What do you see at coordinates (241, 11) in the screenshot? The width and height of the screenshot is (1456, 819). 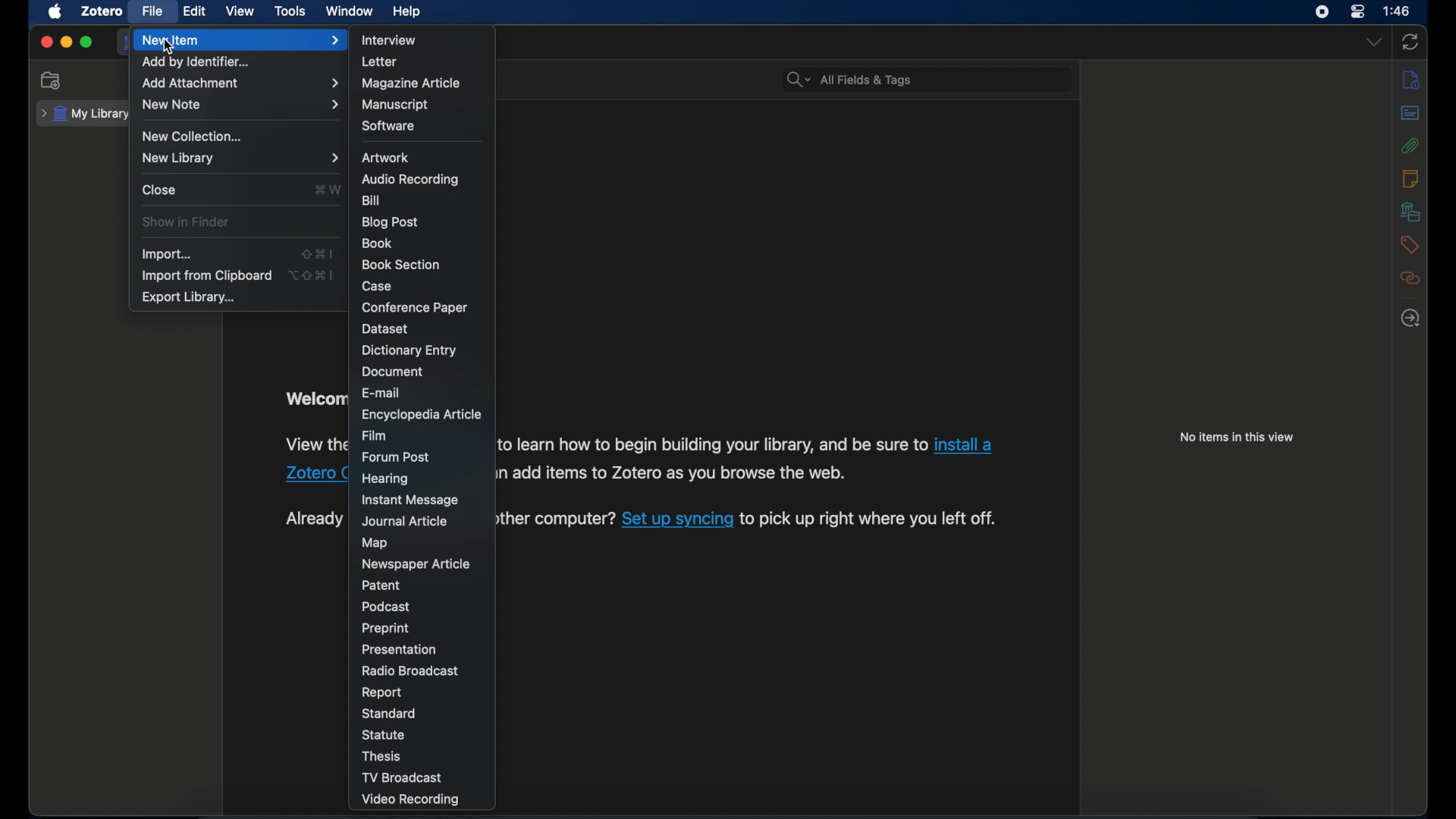 I see `view` at bounding box center [241, 11].